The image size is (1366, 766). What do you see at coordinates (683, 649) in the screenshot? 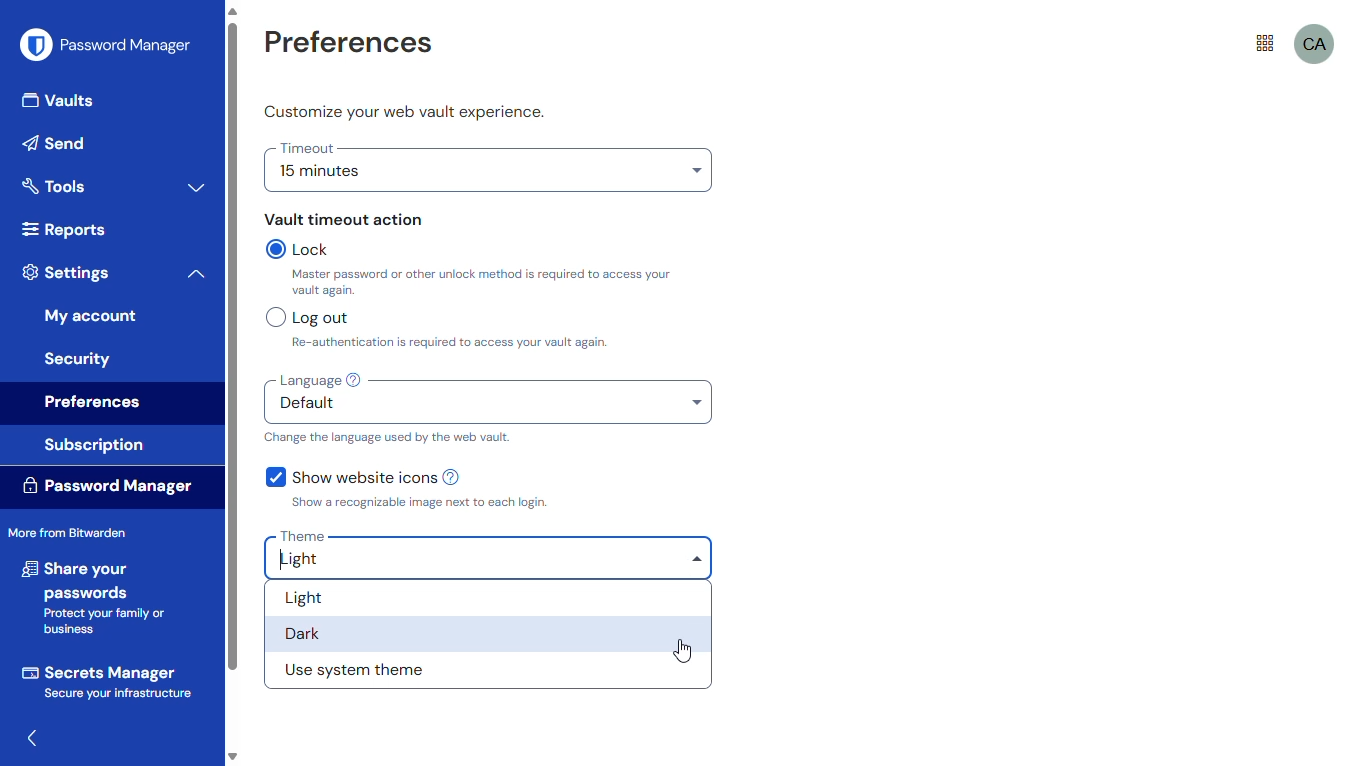
I see `cursor` at bounding box center [683, 649].